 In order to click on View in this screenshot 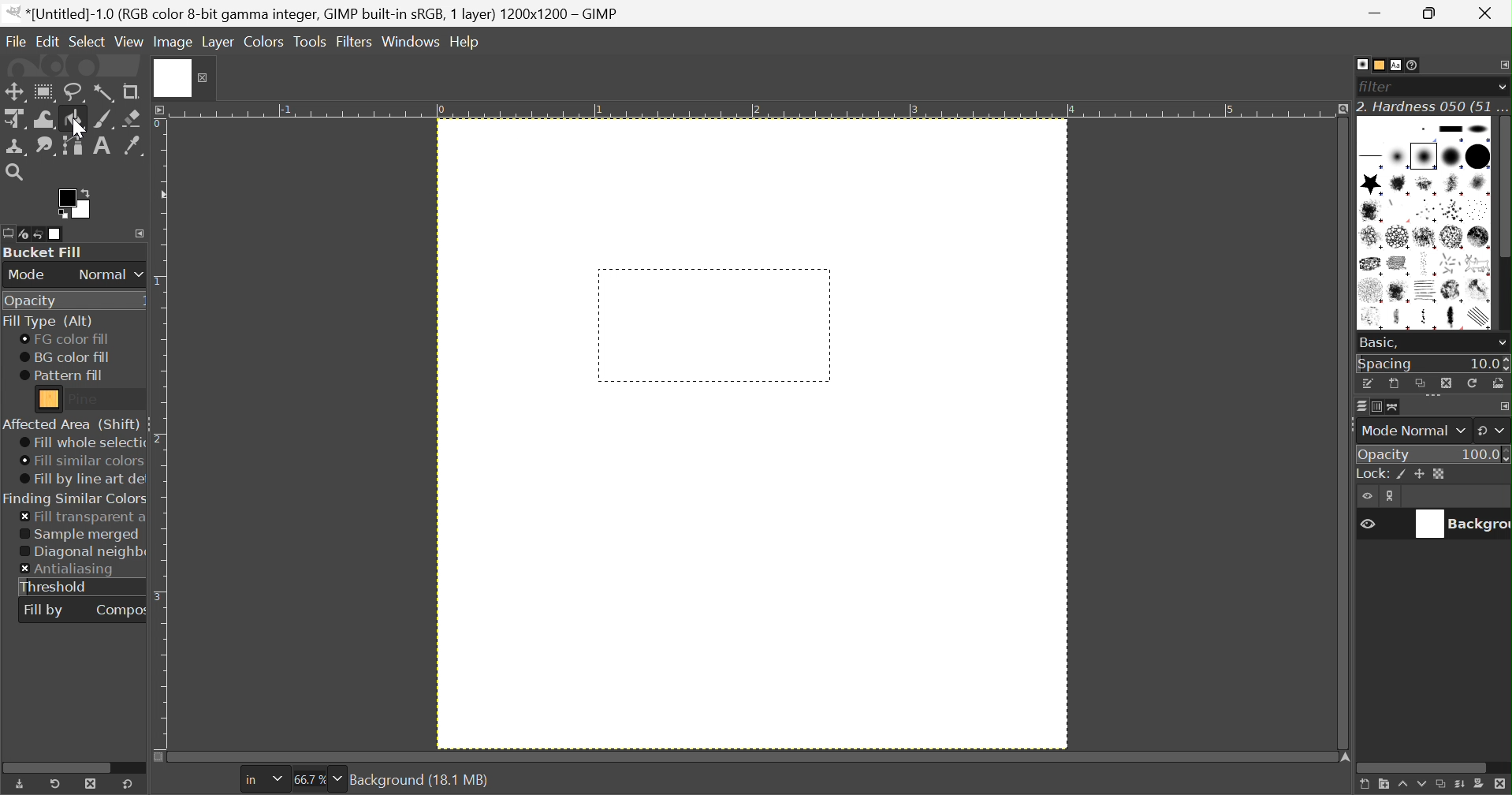, I will do `click(129, 43)`.